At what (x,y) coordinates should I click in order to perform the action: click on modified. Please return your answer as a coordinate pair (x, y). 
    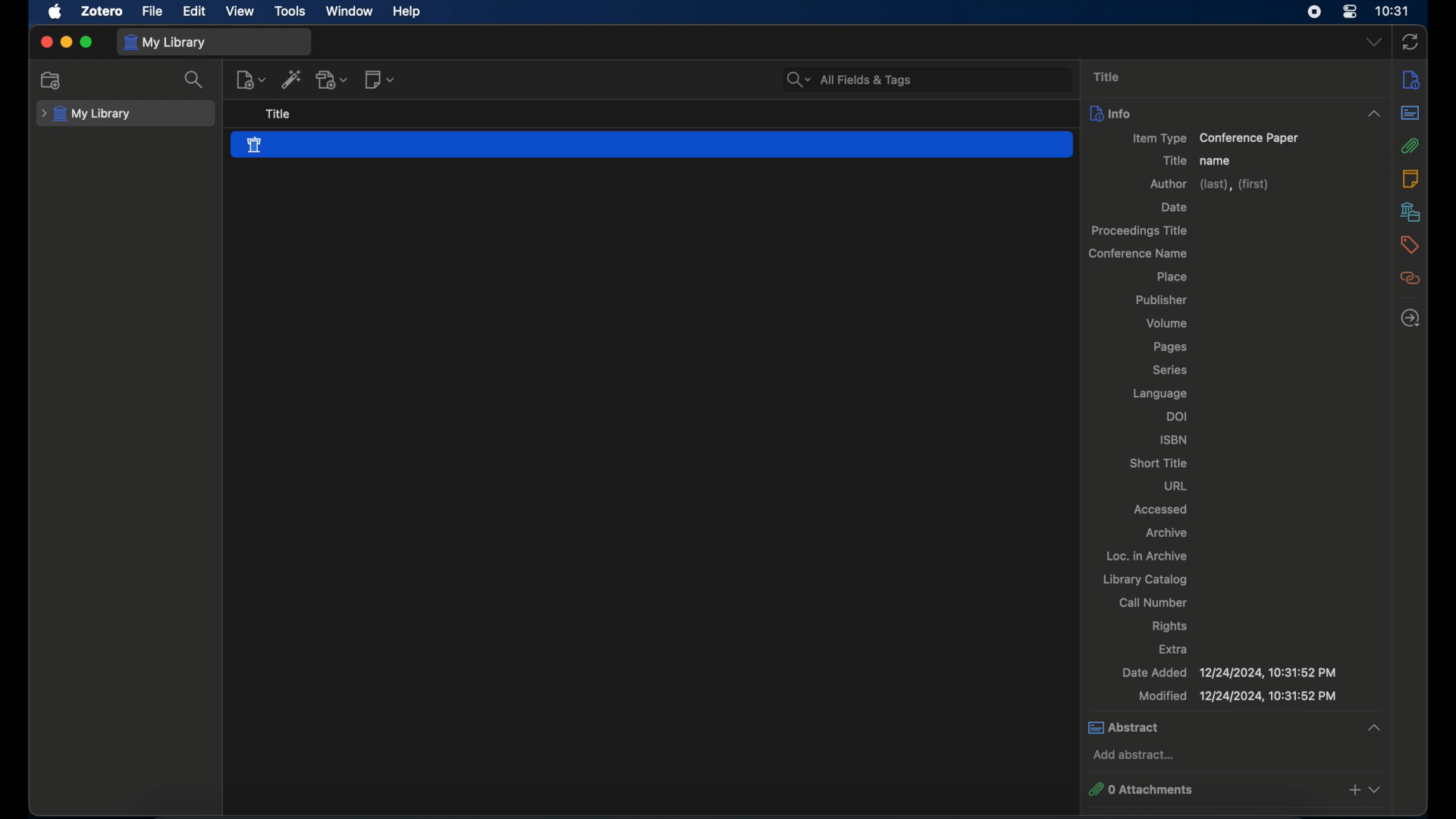
    Looking at the image, I should click on (1239, 696).